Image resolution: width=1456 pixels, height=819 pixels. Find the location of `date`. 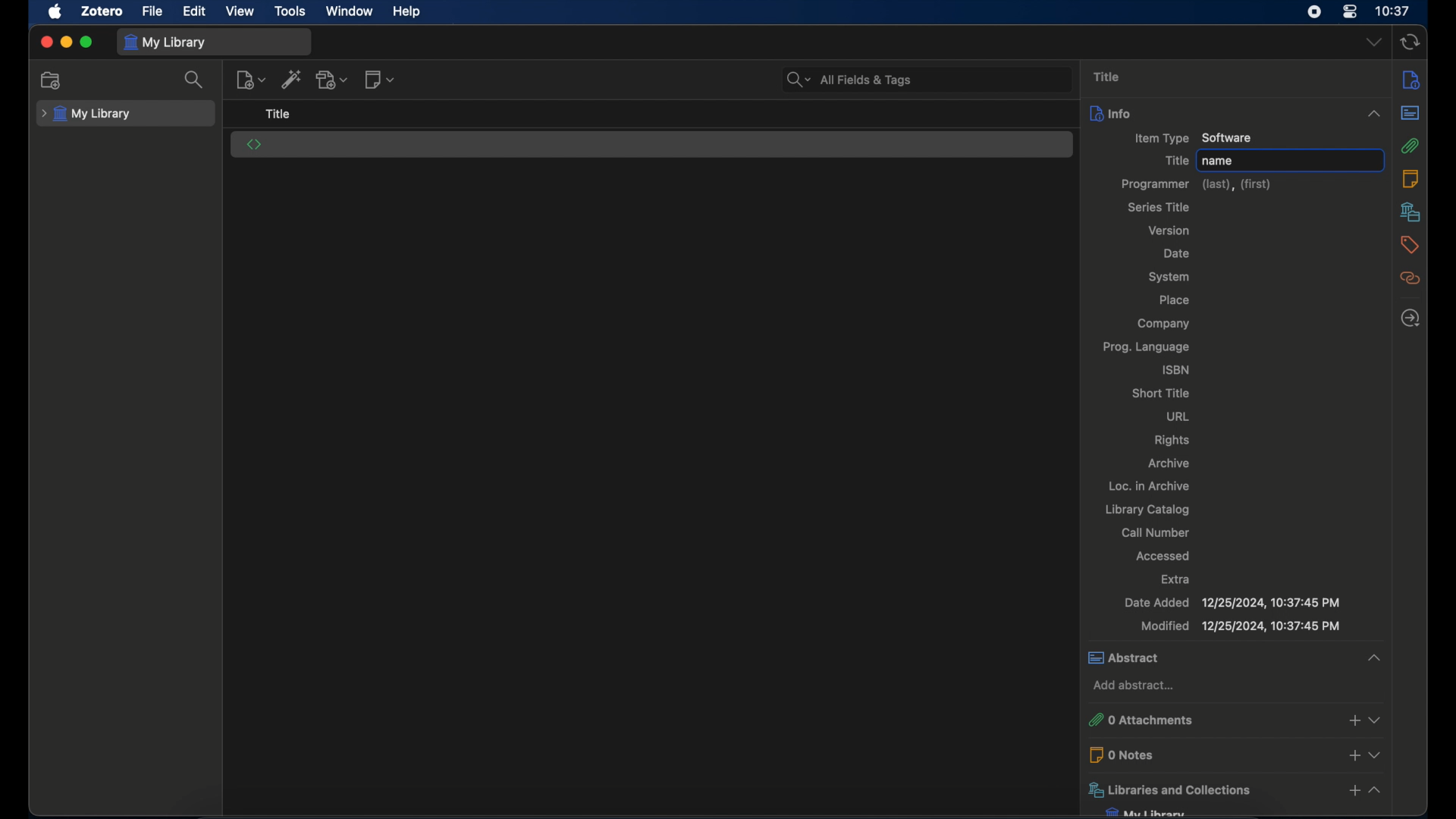

date is located at coordinates (1177, 253).